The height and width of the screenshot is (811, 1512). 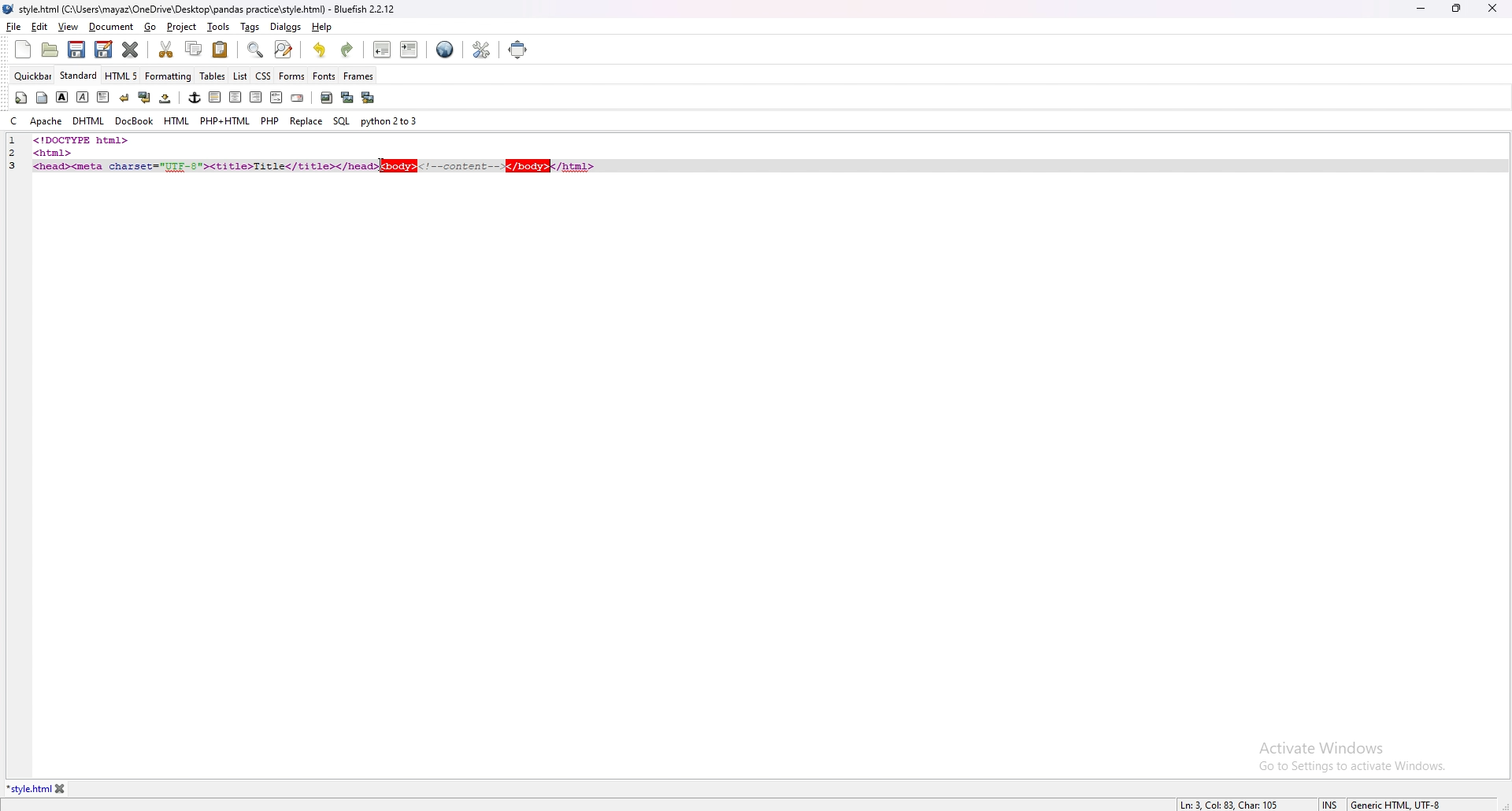 I want to click on indent, so click(x=409, y=49).